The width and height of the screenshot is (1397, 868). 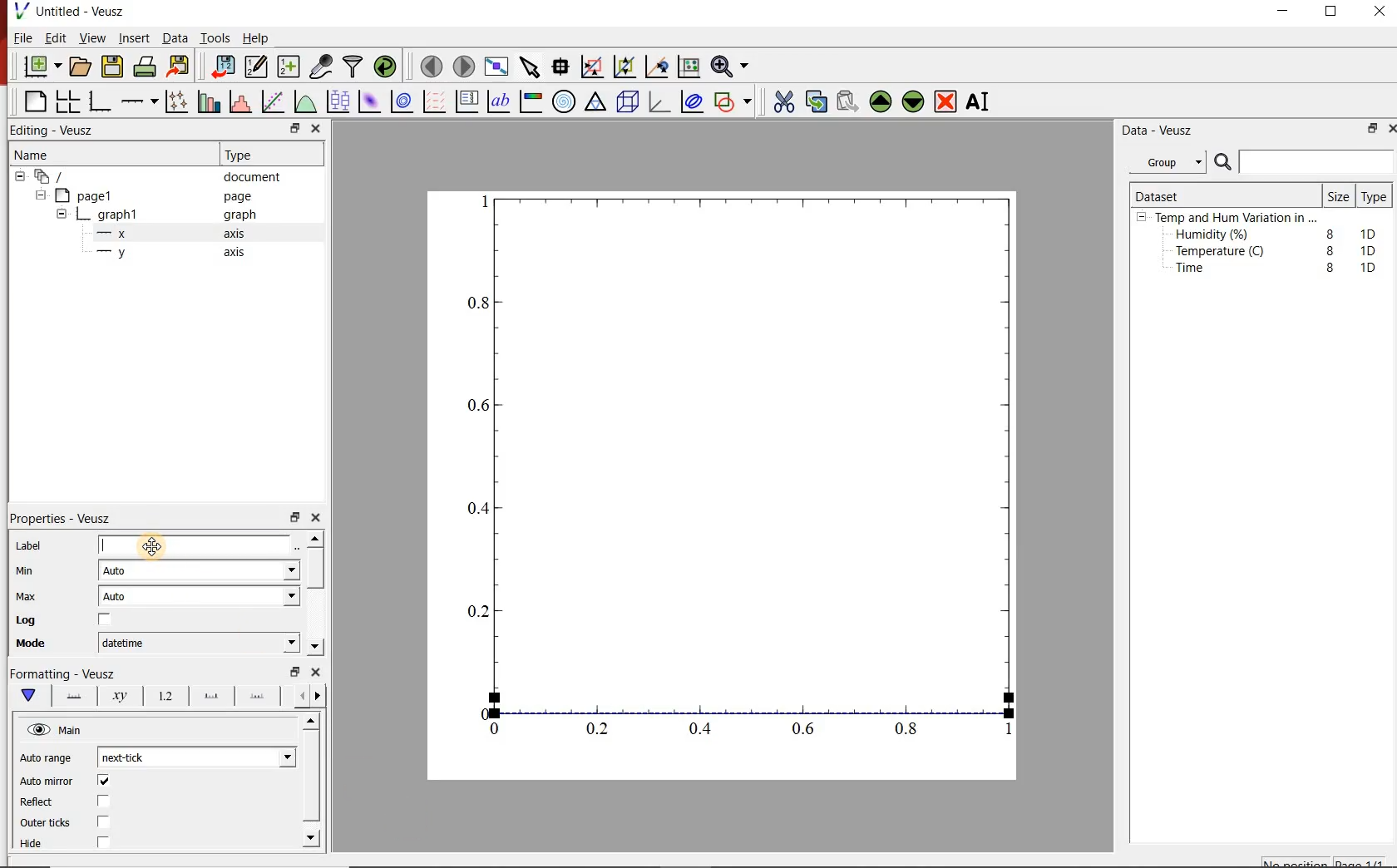 What do you see at coordinates (321, 696) in the screenshot?
I see `go forward` at bounding box center [321, 696].